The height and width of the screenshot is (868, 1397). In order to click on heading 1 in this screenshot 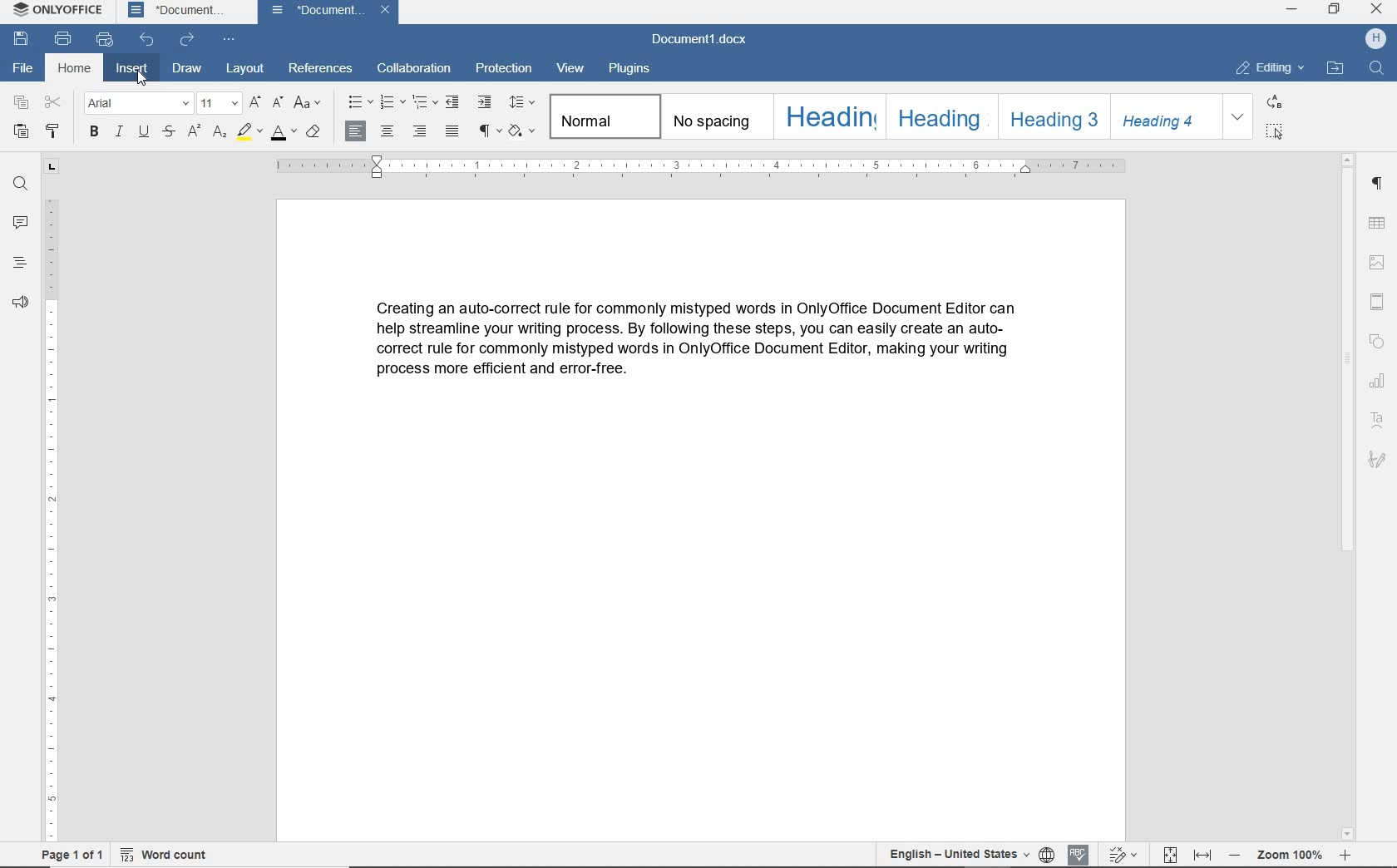, I will do `click(825, 118)`.